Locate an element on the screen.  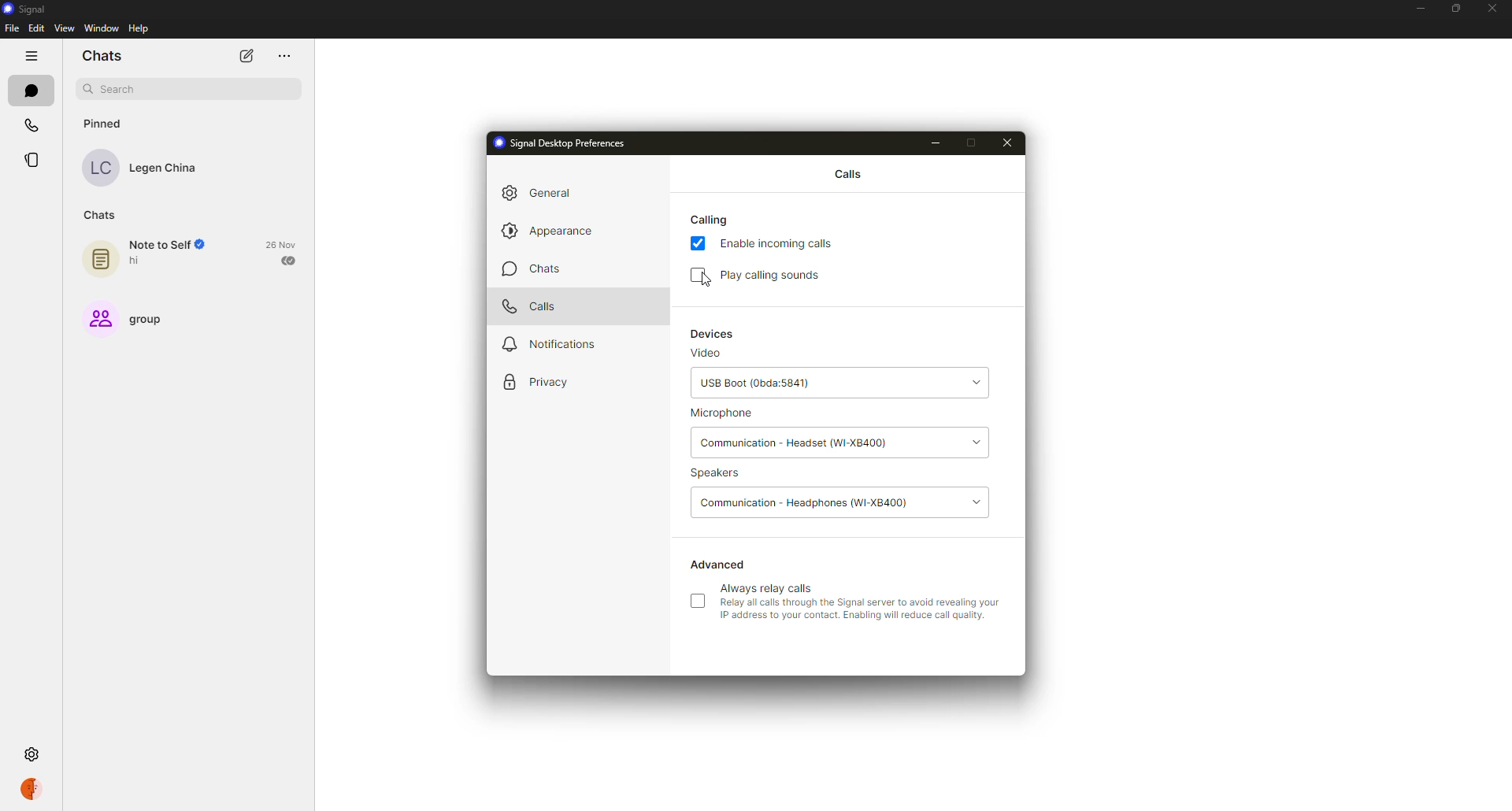
profile is located at coordinates (30, 790).